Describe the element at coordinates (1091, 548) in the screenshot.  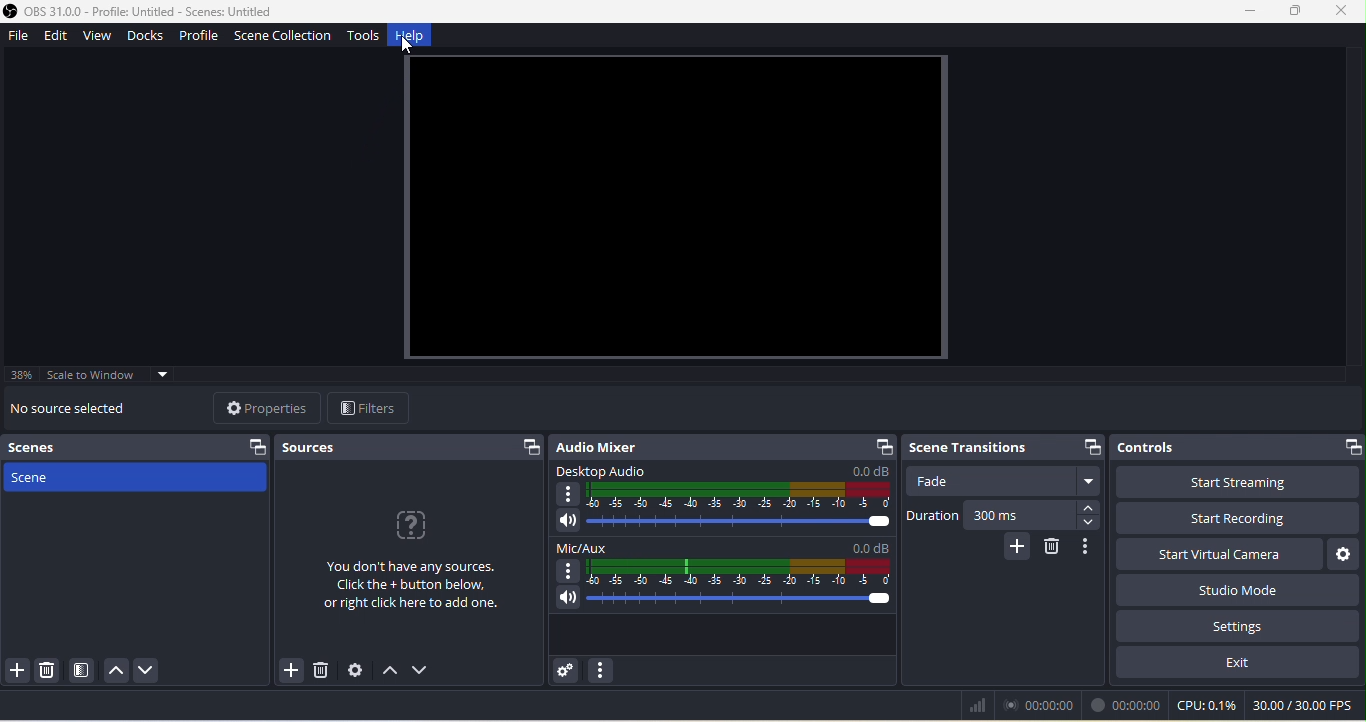
I see `transition properties` at that location.